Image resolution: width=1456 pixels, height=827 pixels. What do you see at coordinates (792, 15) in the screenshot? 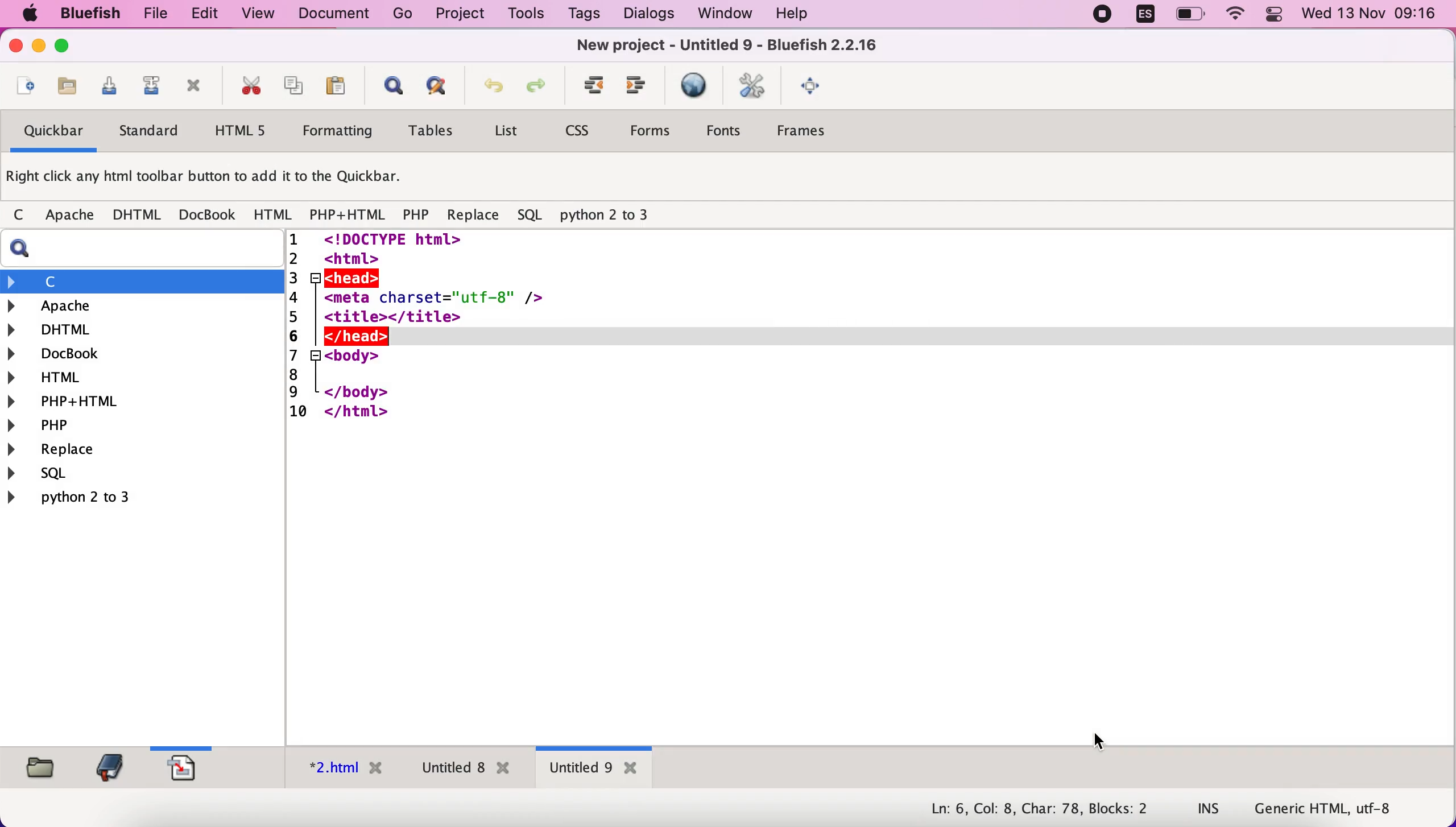
I see `help` at bounding box center [792, 15].